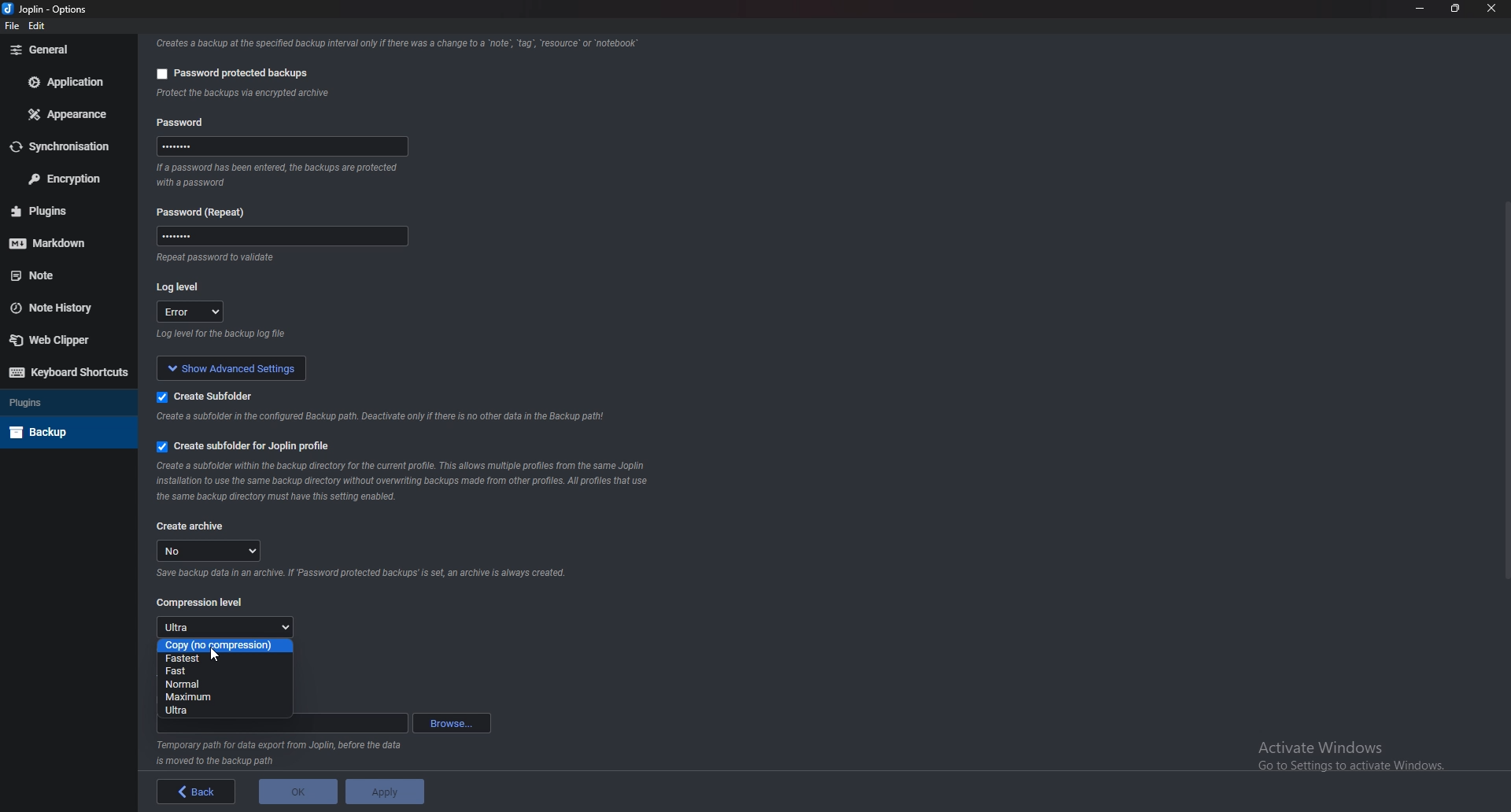 Image resolution: width=1511 pixels, height=812 pixels. Describe the element at coordinates (1491, 9) in the screenshot. I see `close` at that location.